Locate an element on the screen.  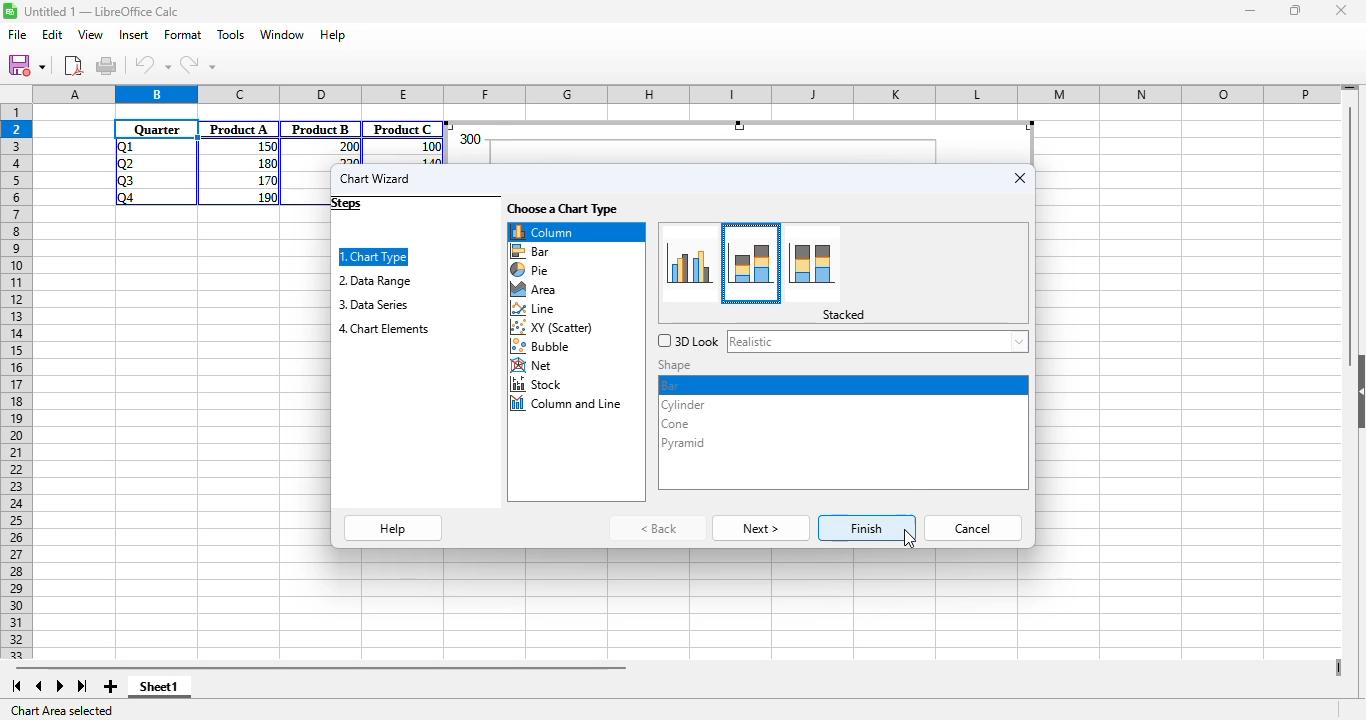
4. chart elements is located at coordinates (384, 329).